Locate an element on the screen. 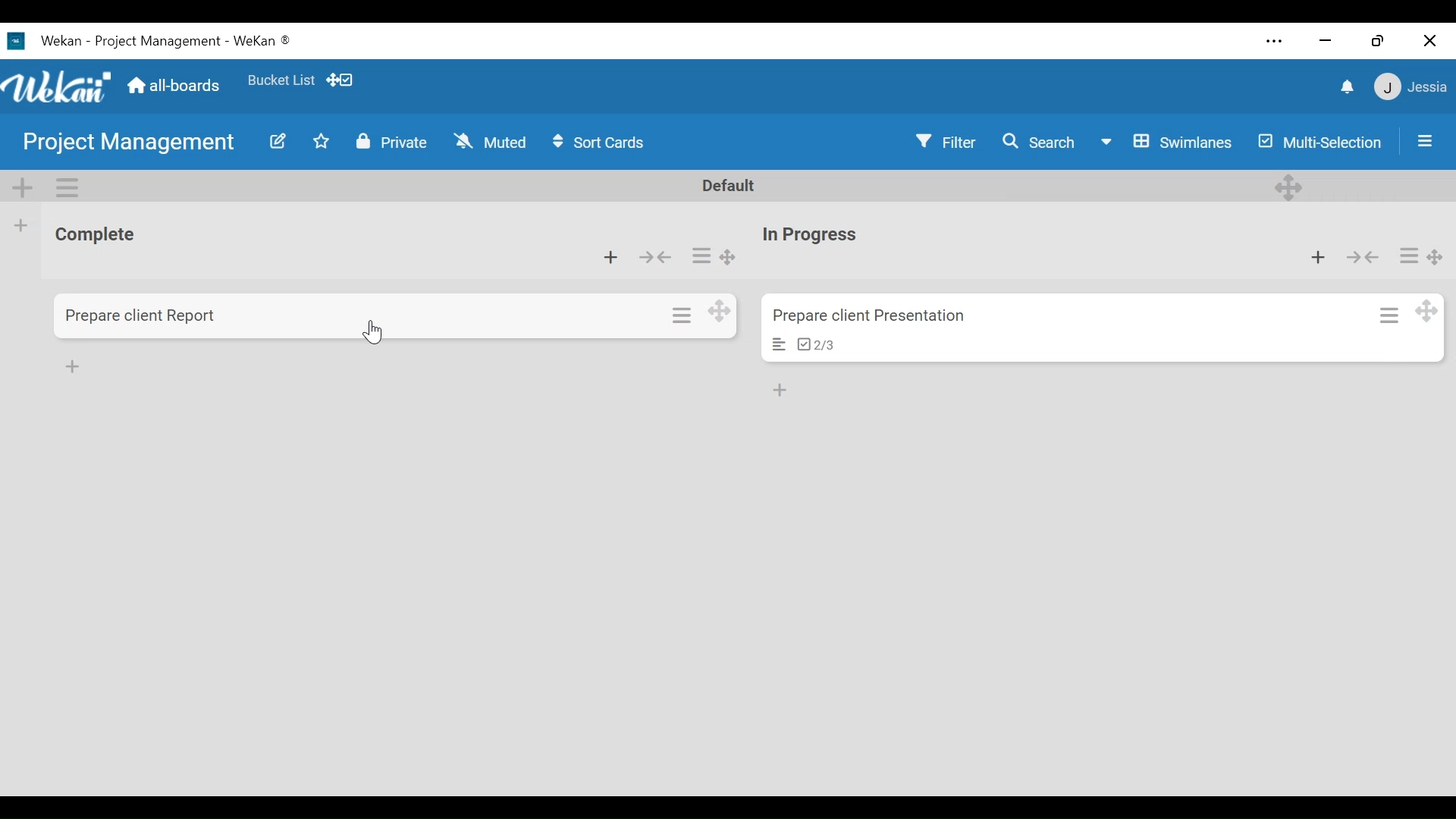 Image resolution: width=1456 pixels, height=819 pixels. Toggle favorites is located at coordinates (322, 142).